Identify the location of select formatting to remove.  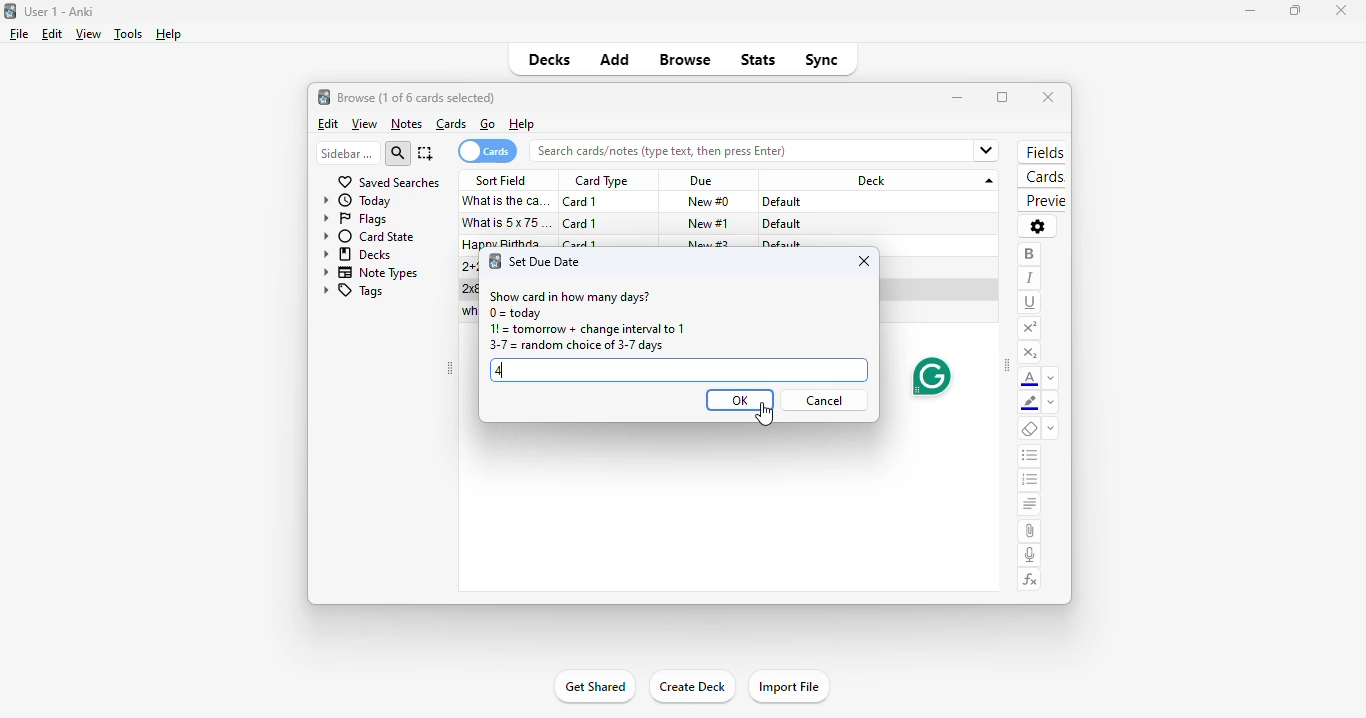
(1051, 430).